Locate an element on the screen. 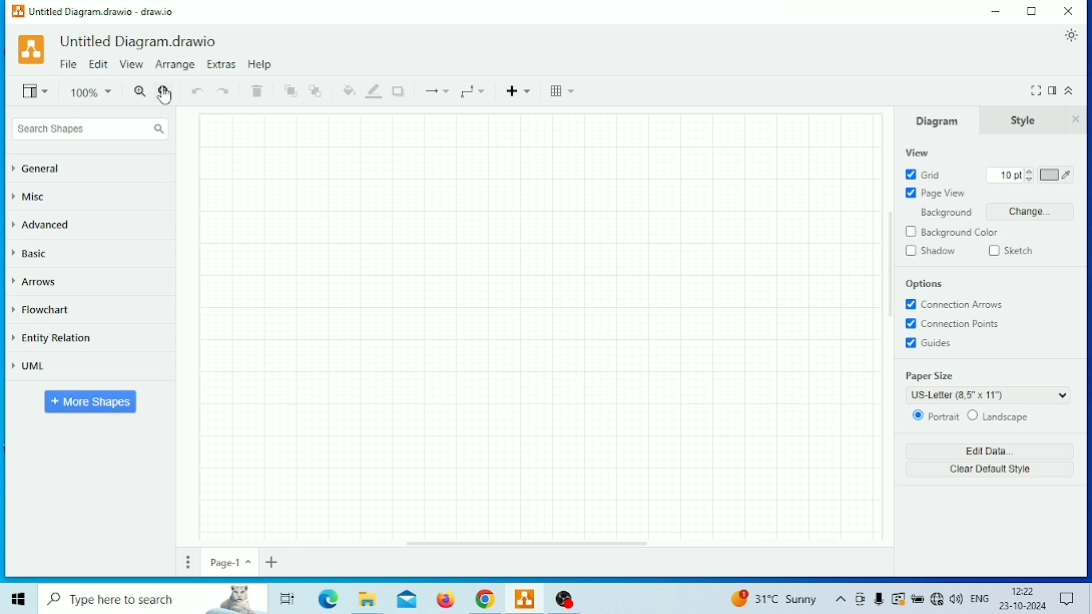 The height and width of the screenshot is (614, 1092). Google Chrome is located at coordinates (485, 600).